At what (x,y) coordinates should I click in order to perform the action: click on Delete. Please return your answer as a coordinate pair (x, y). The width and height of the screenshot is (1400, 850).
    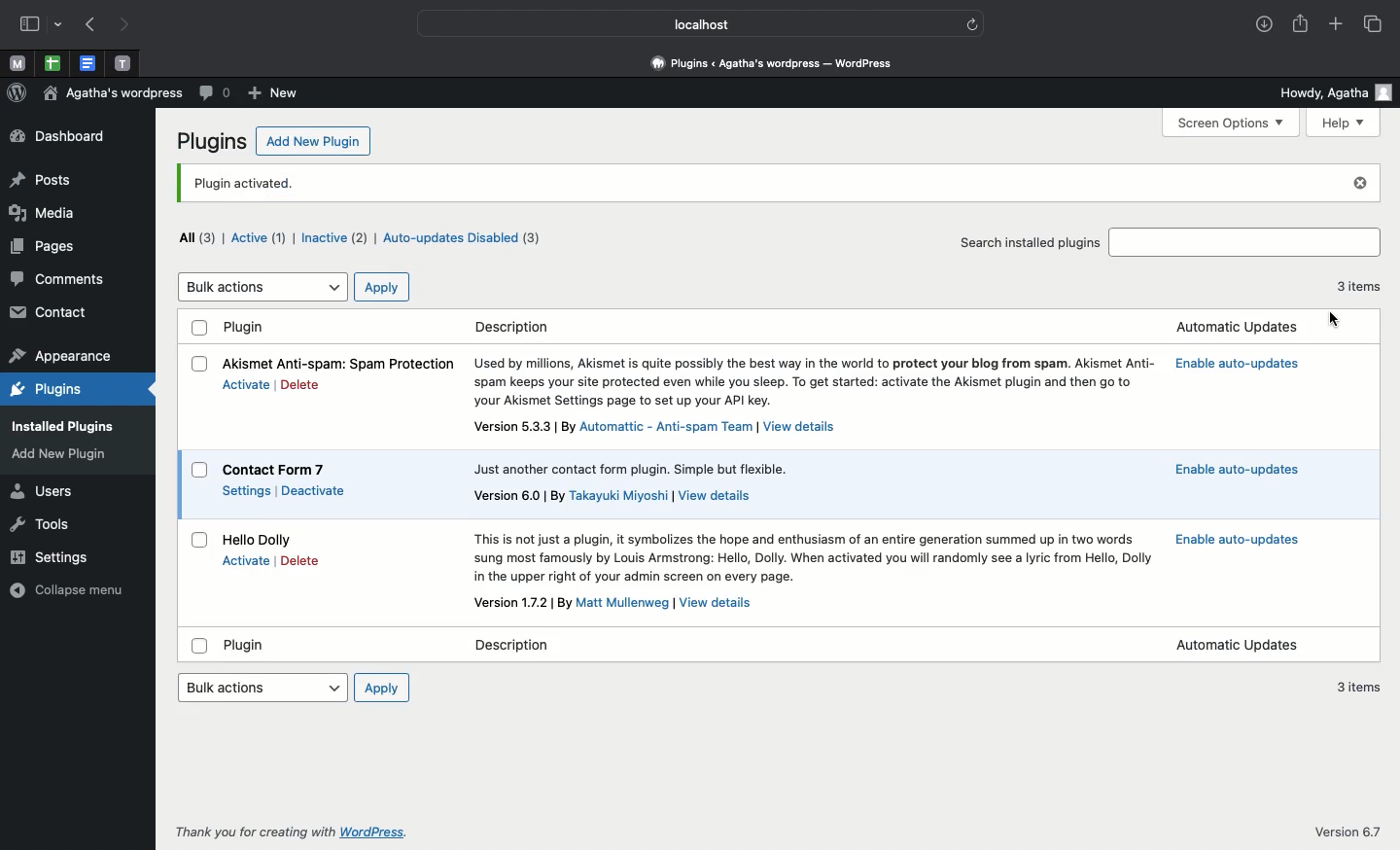
    Looking at the image, I should click on (300, 385).